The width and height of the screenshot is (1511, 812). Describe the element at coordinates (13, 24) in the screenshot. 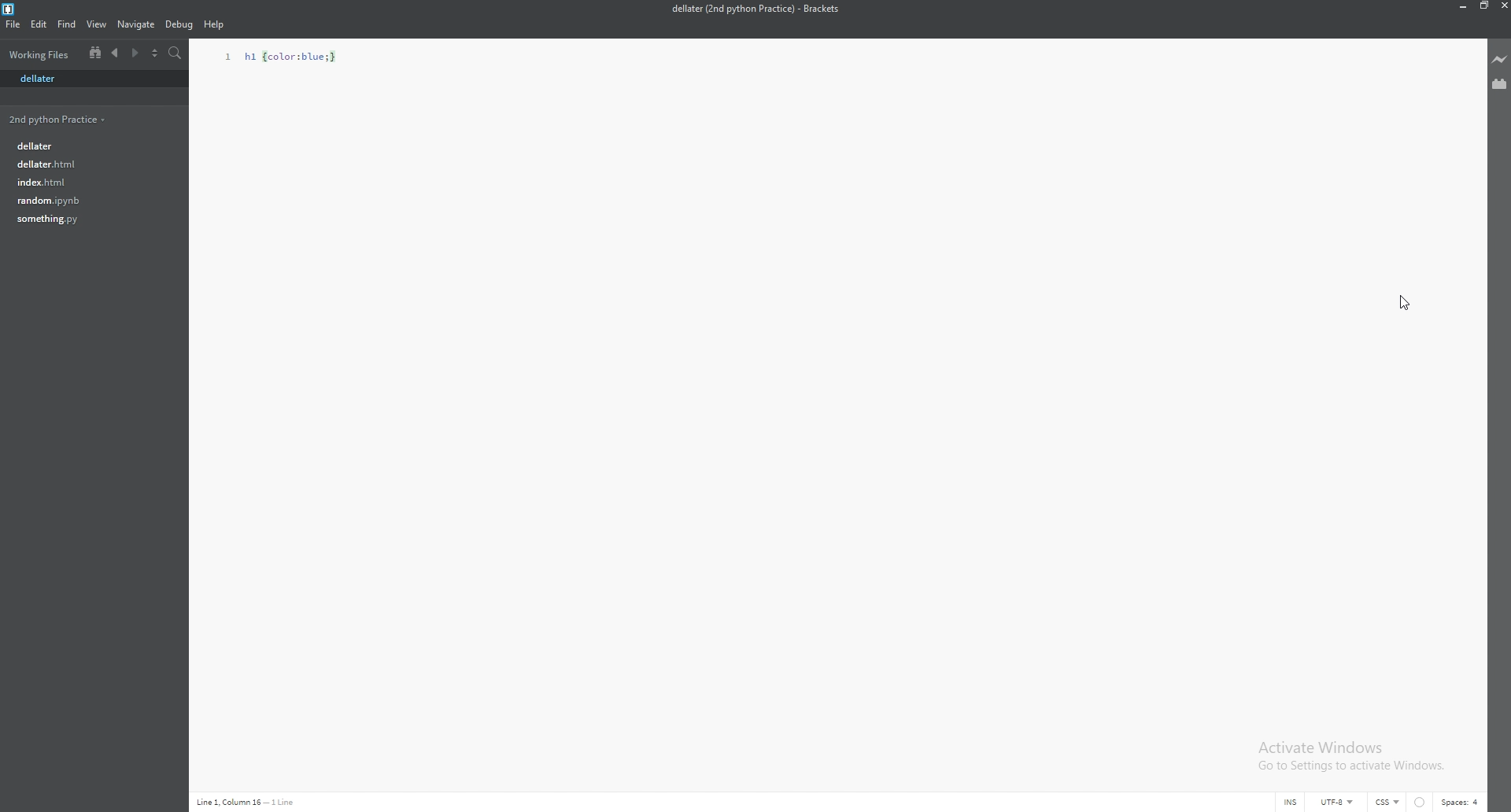

I see `file` at that location.